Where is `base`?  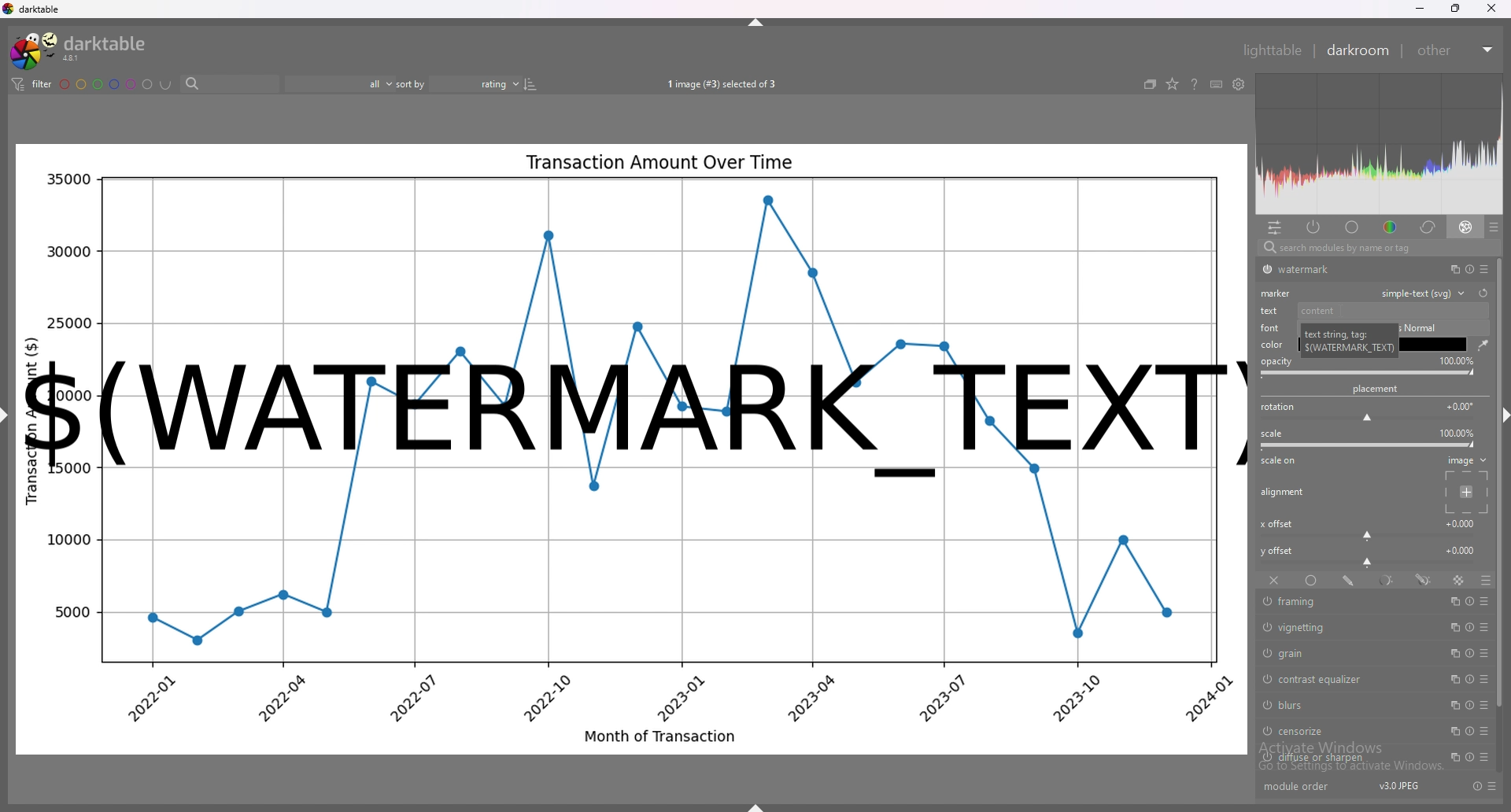
base is located at coordinates (1352, 227).